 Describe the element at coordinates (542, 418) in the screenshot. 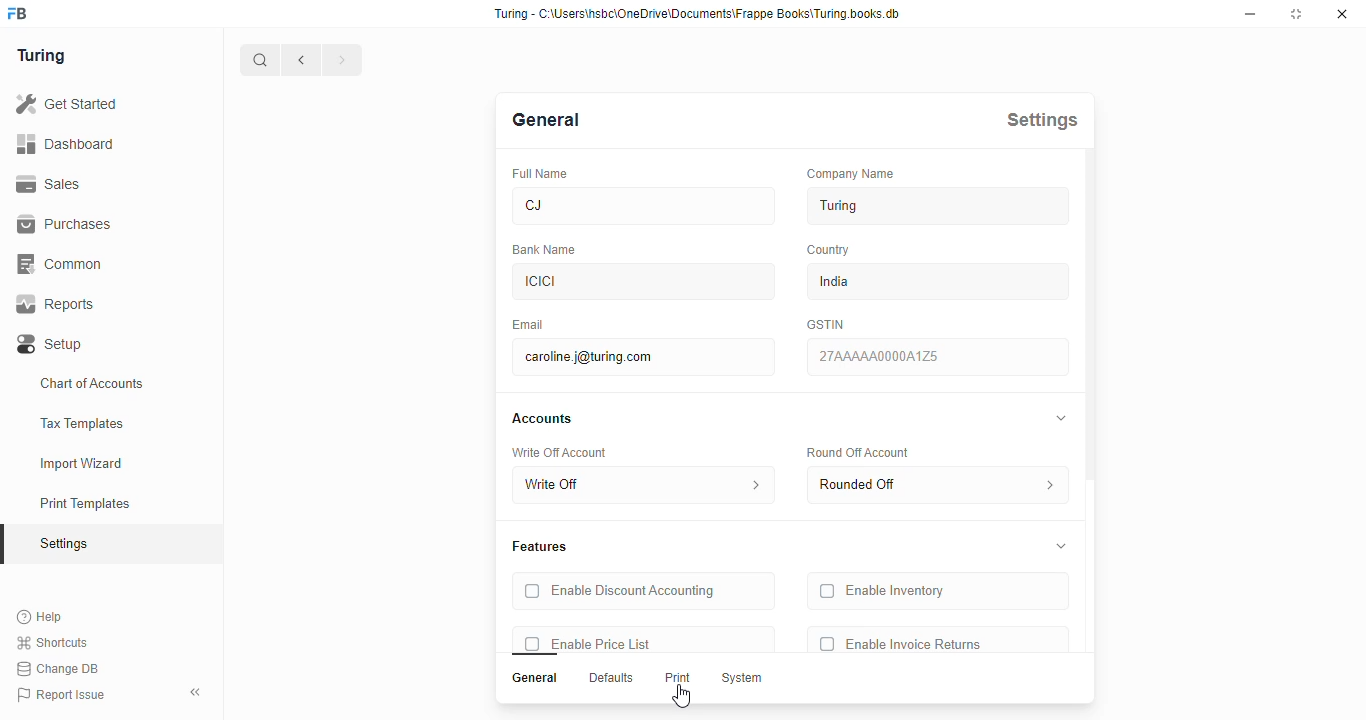

I see `Accounts` at that location.